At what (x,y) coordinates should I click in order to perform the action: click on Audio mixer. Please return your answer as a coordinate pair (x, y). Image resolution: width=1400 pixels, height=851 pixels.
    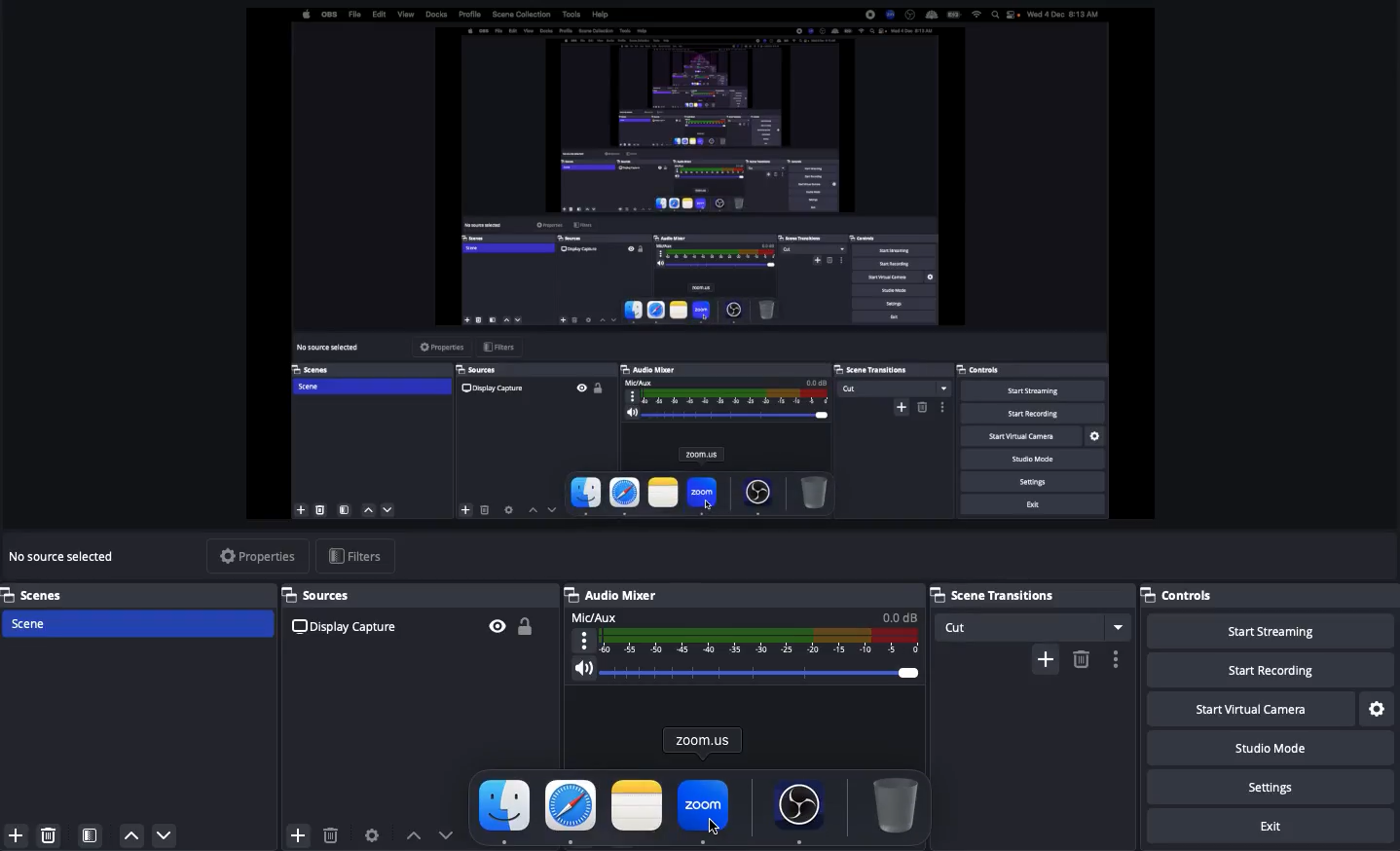
    Looking at the image, I should click on (614, 592).